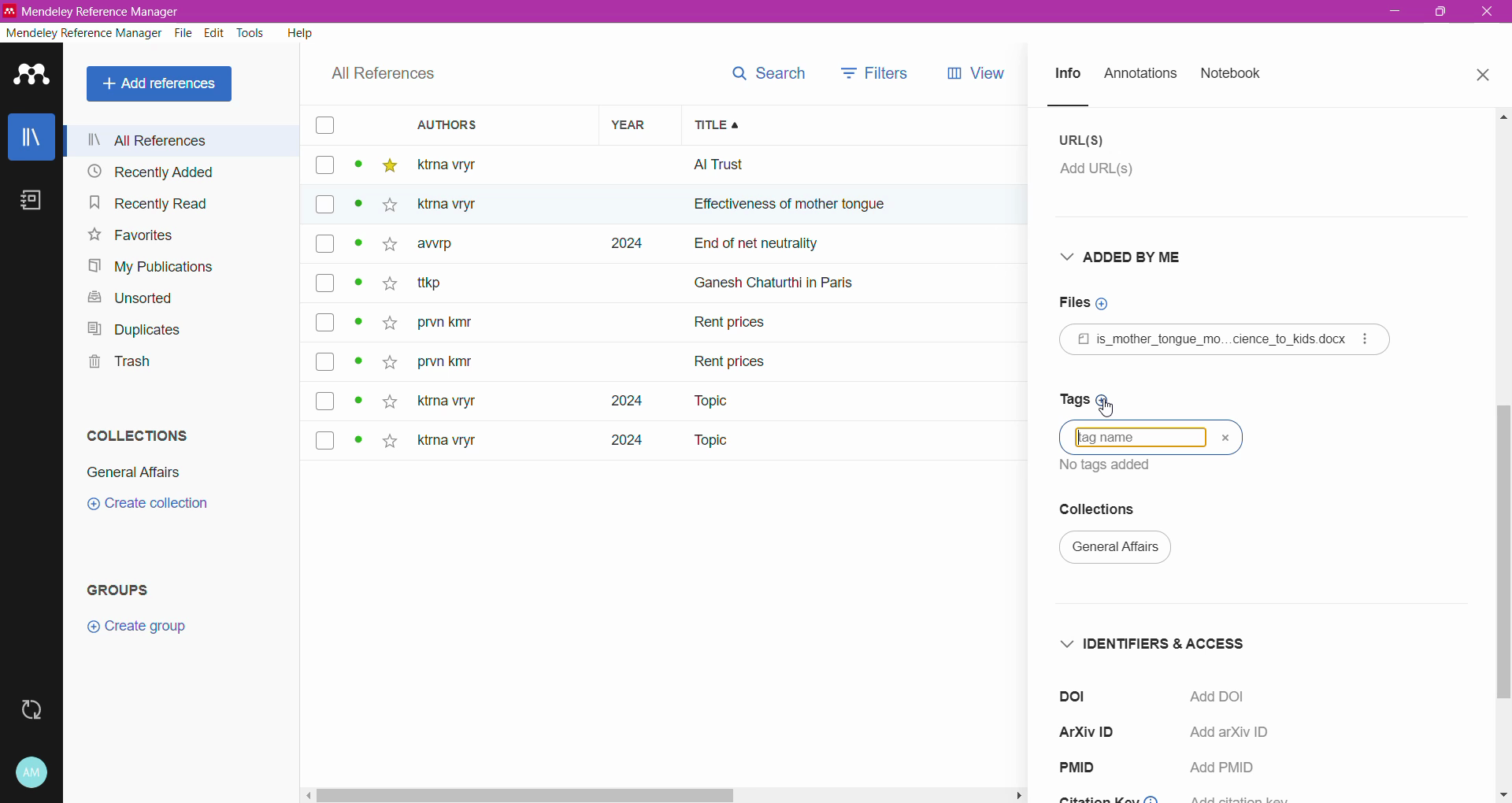 This screenshot has width=1512, height=803. Describe the element at coordinates (387, 287) in the screenshot. I see `star` at that location.